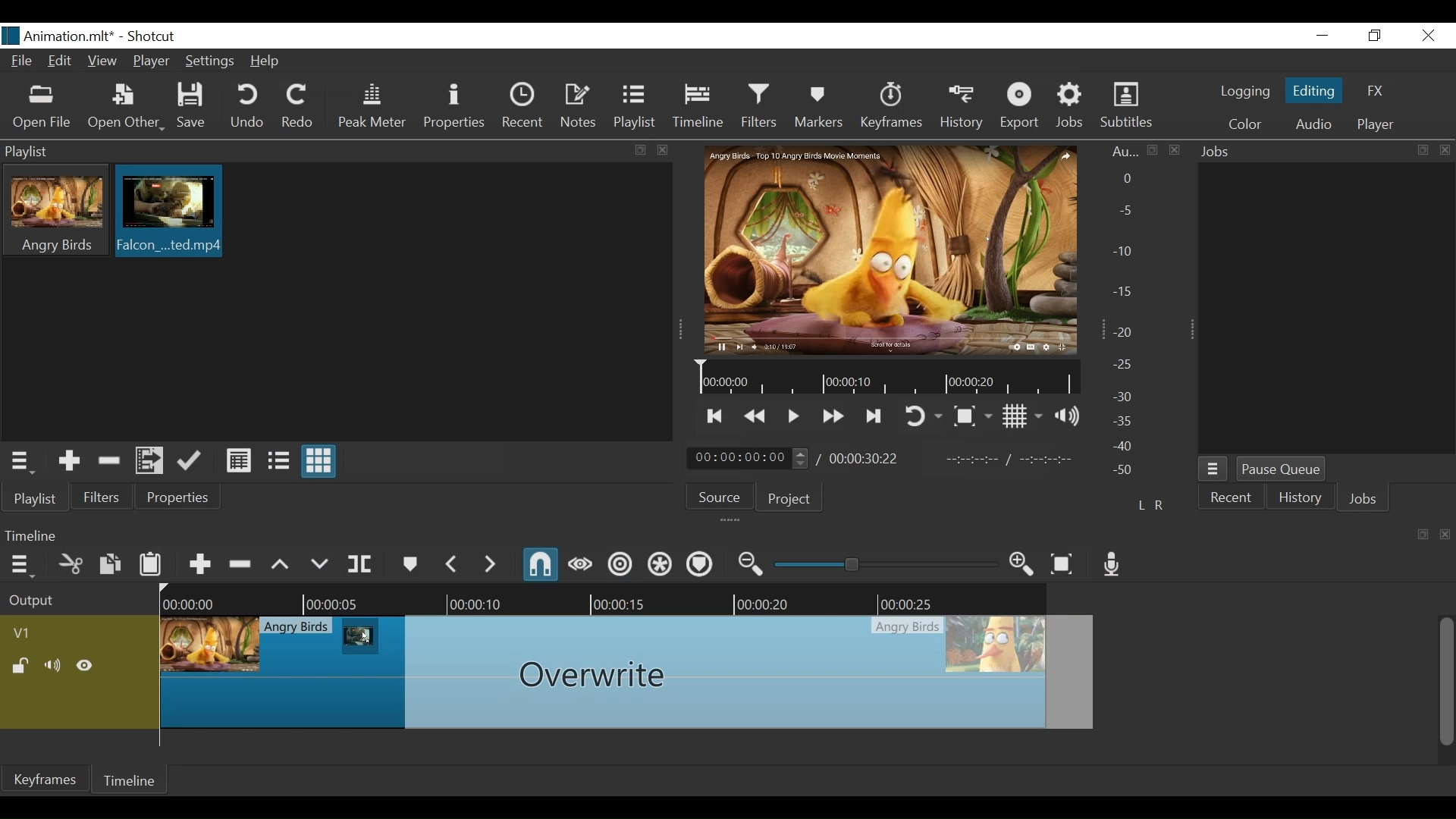  I want to click on Toggle play or pause, so click(794, 416).